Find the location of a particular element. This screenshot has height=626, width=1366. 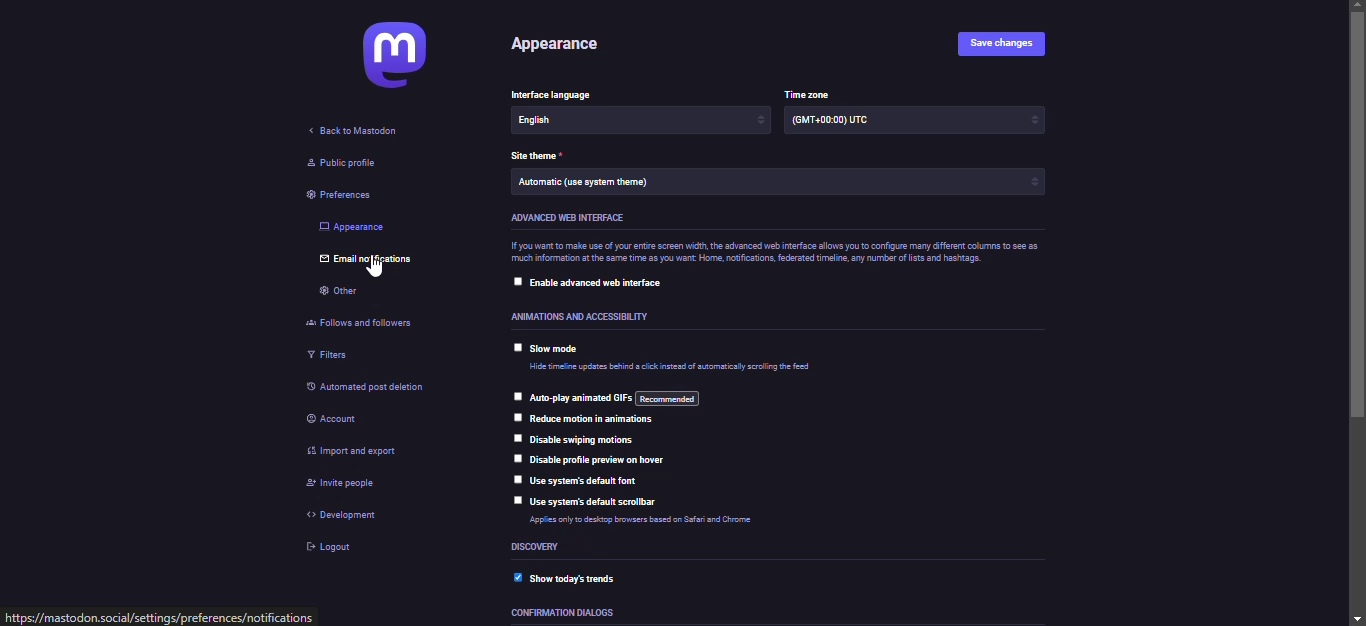

click to select is located at coordinates (514, 479).